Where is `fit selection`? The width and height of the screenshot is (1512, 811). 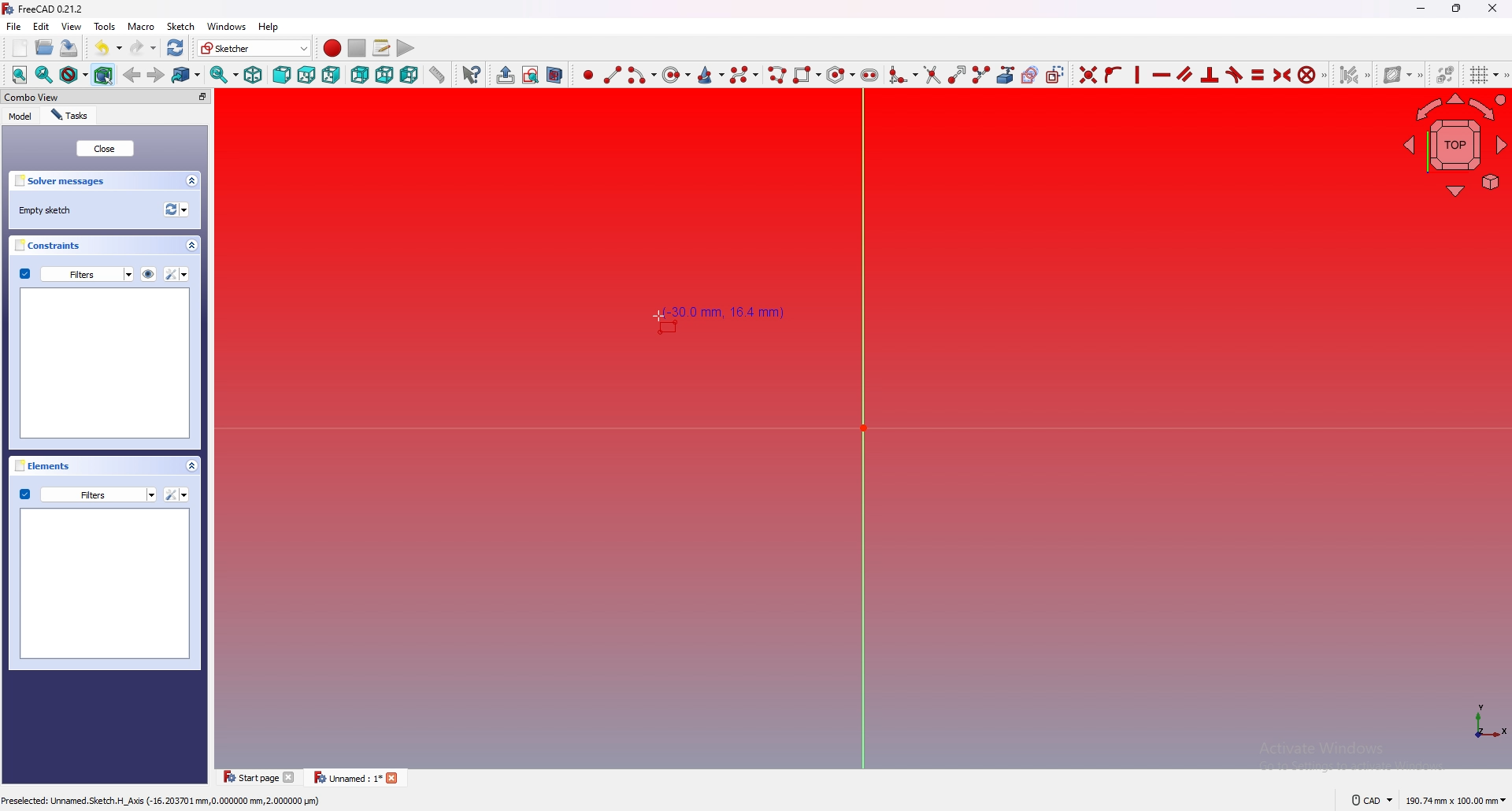 fit selection is located at coordinates (44, 75).